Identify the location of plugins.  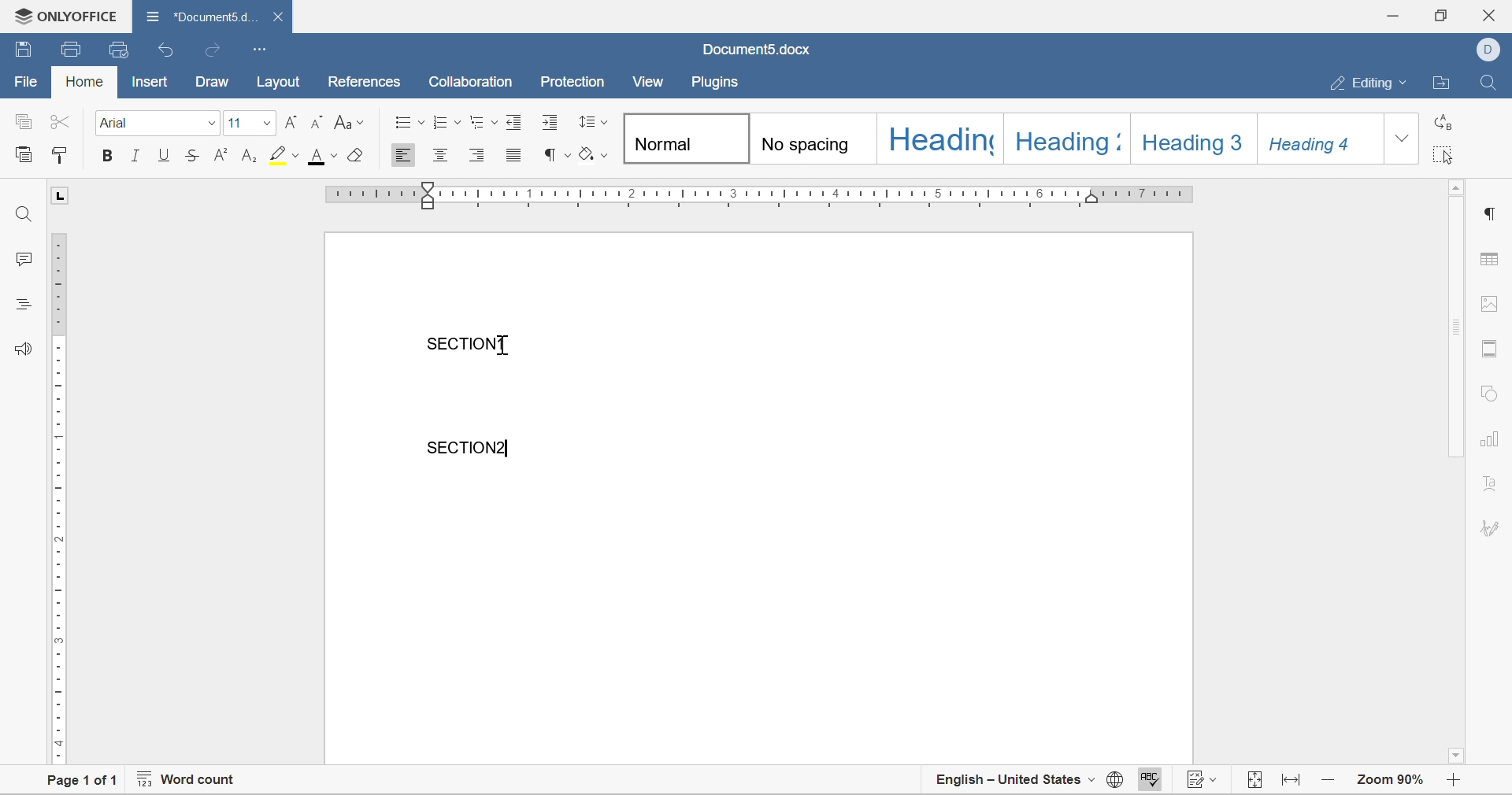
(716, 83).